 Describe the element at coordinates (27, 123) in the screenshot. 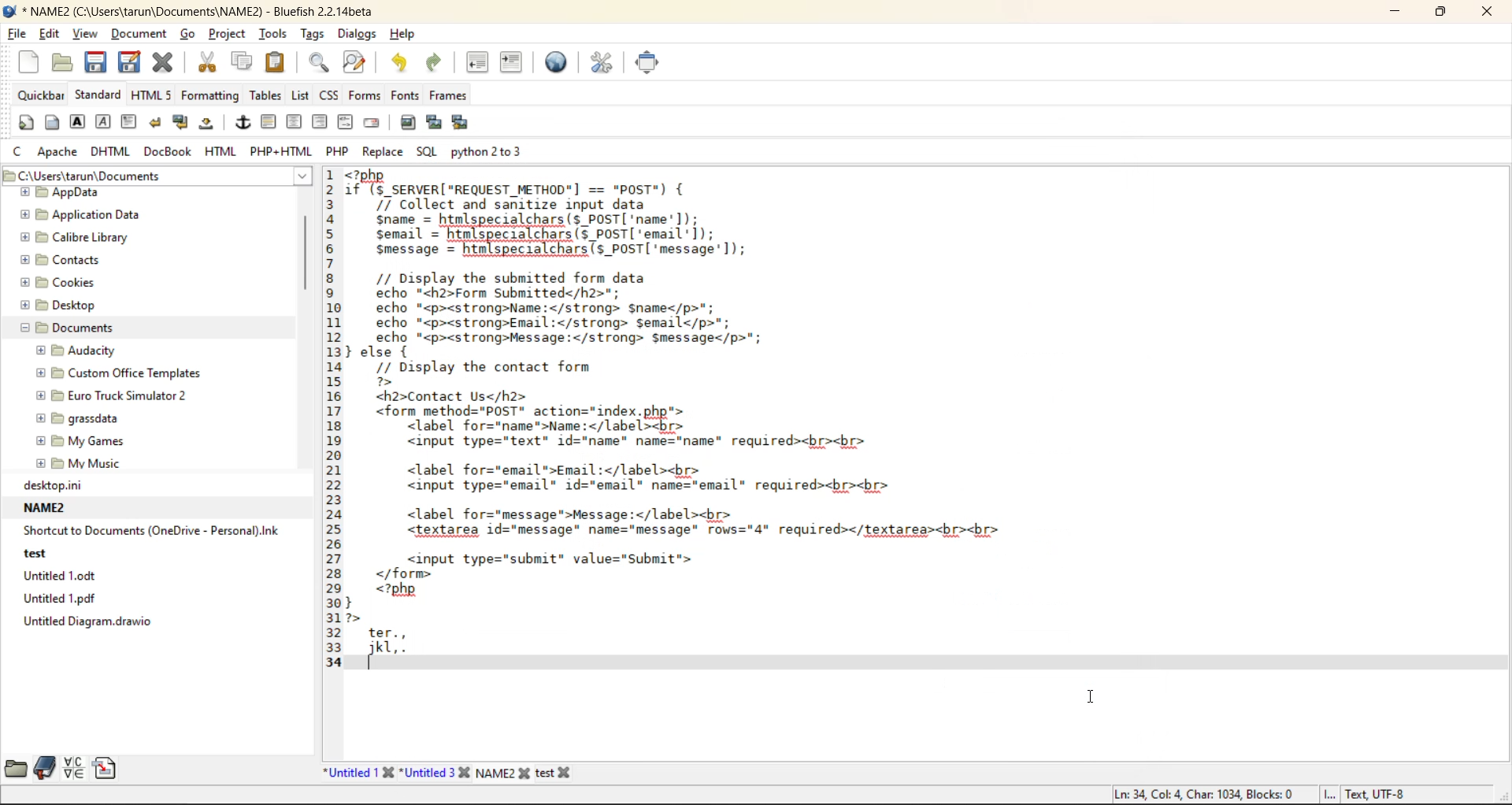

I see `quickstart` at that location.